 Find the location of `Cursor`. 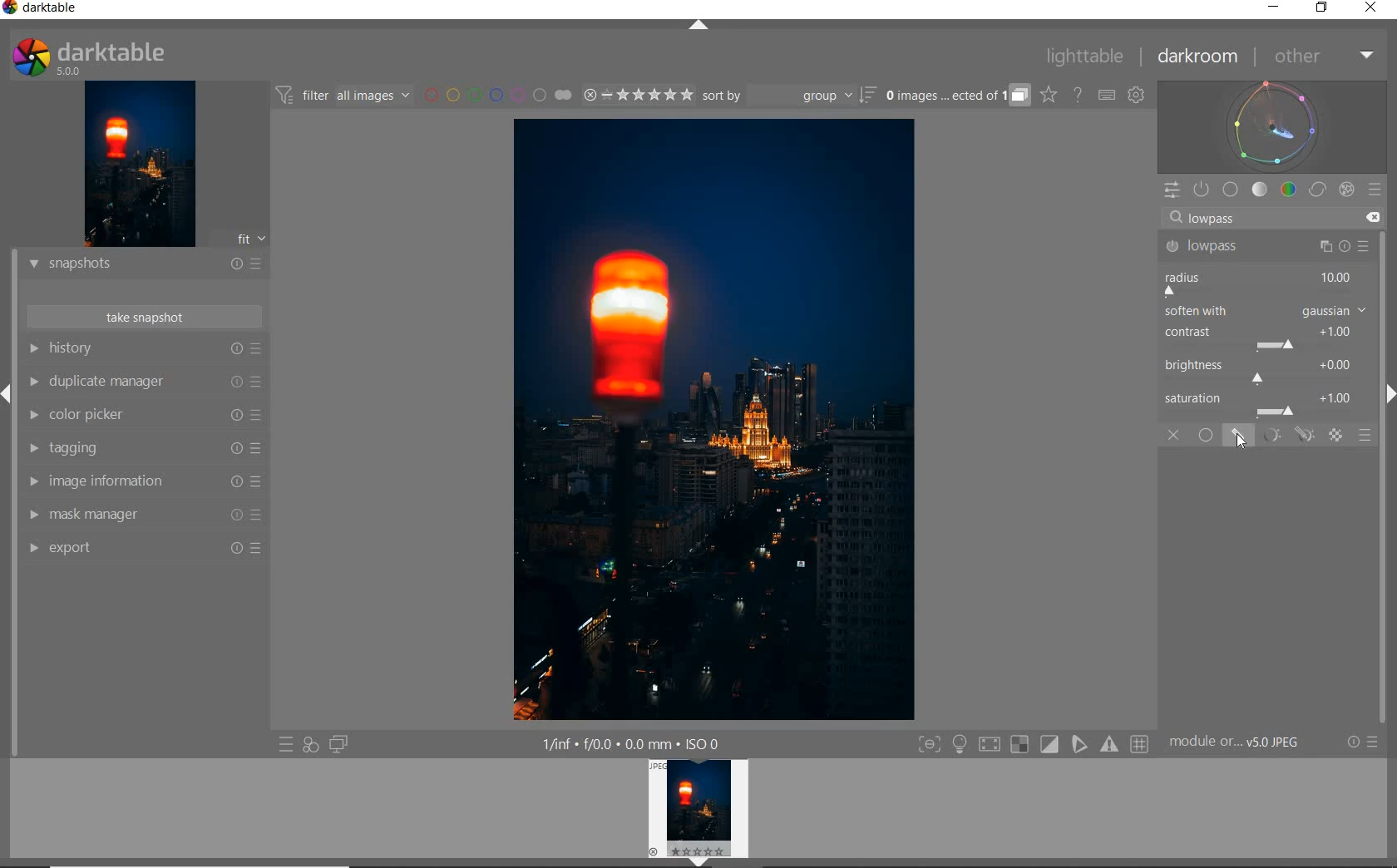

Cursor is located at coordinates (1241, 442).